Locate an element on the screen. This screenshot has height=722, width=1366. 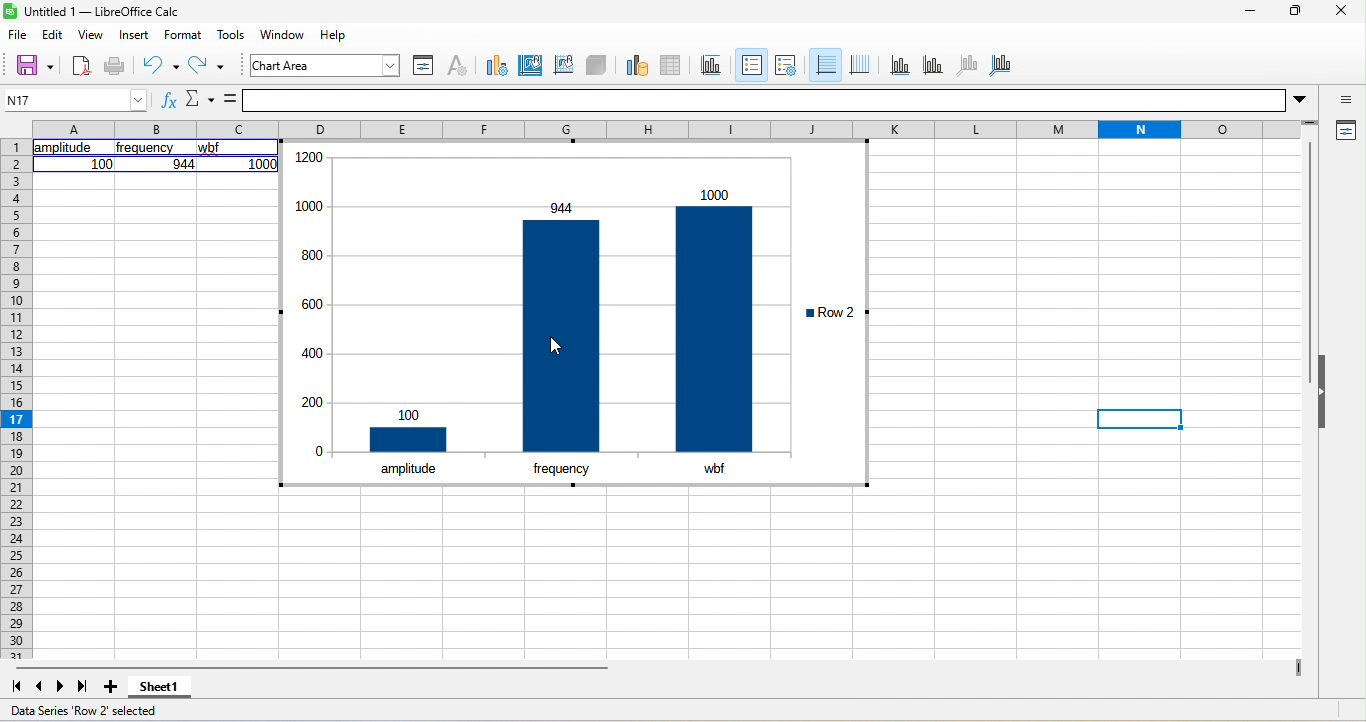
all axes is located at coordinates (1004, 63).